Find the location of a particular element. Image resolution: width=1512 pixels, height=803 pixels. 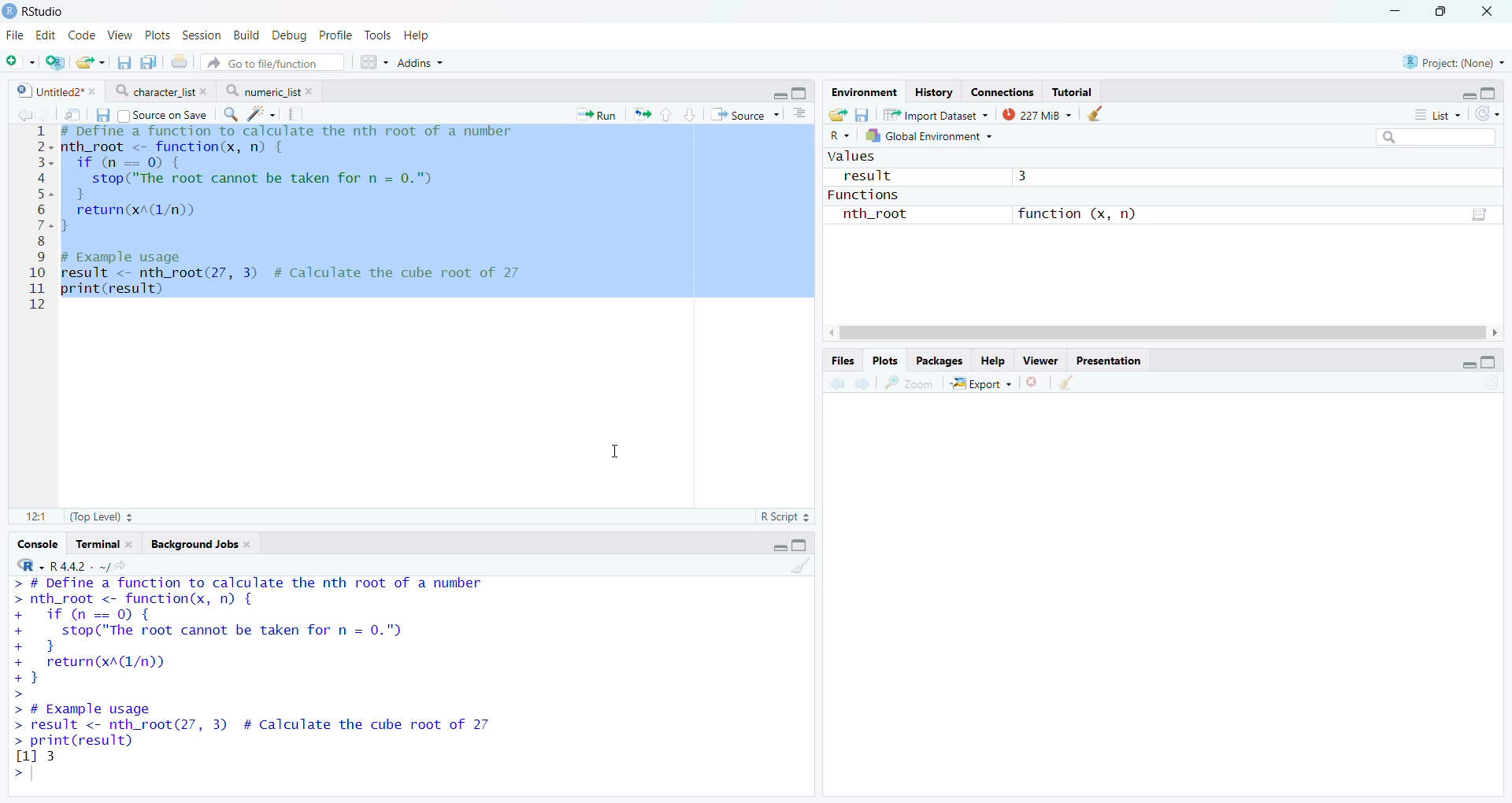

Clear is located at coordinates (1095, 113).